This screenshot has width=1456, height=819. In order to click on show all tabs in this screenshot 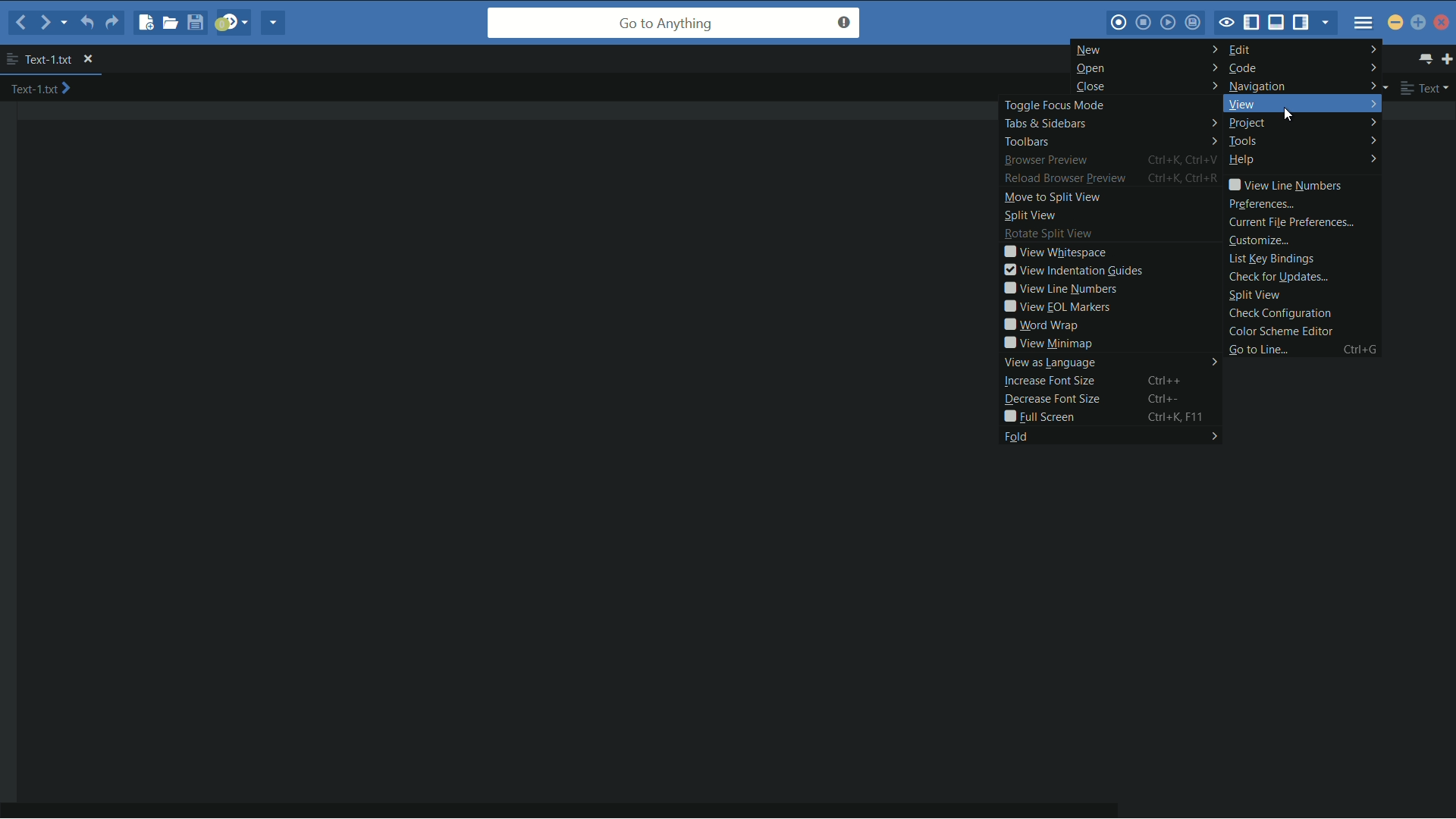, I will do `click(1423, 58)`.